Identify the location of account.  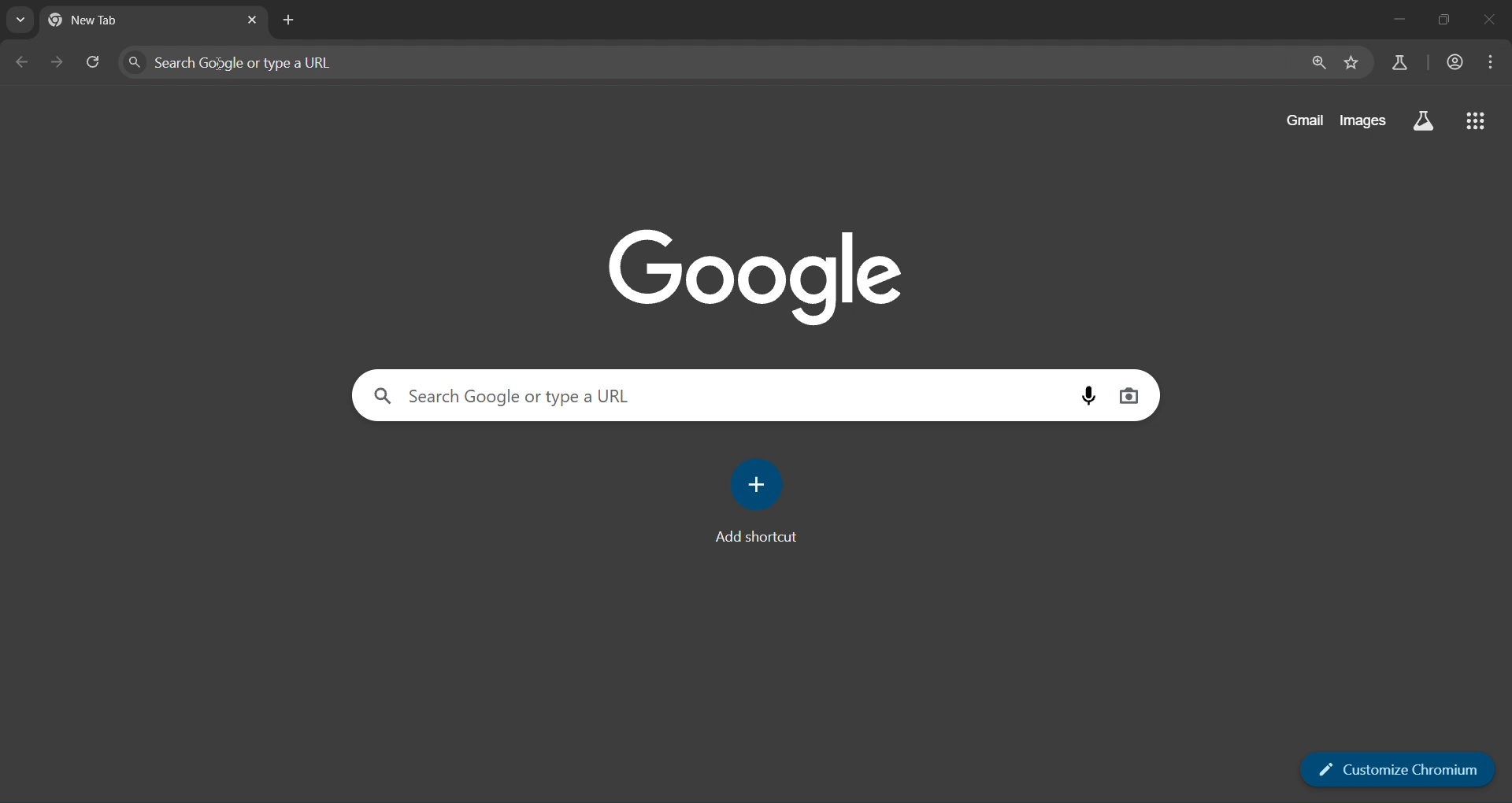
(1457, 62).